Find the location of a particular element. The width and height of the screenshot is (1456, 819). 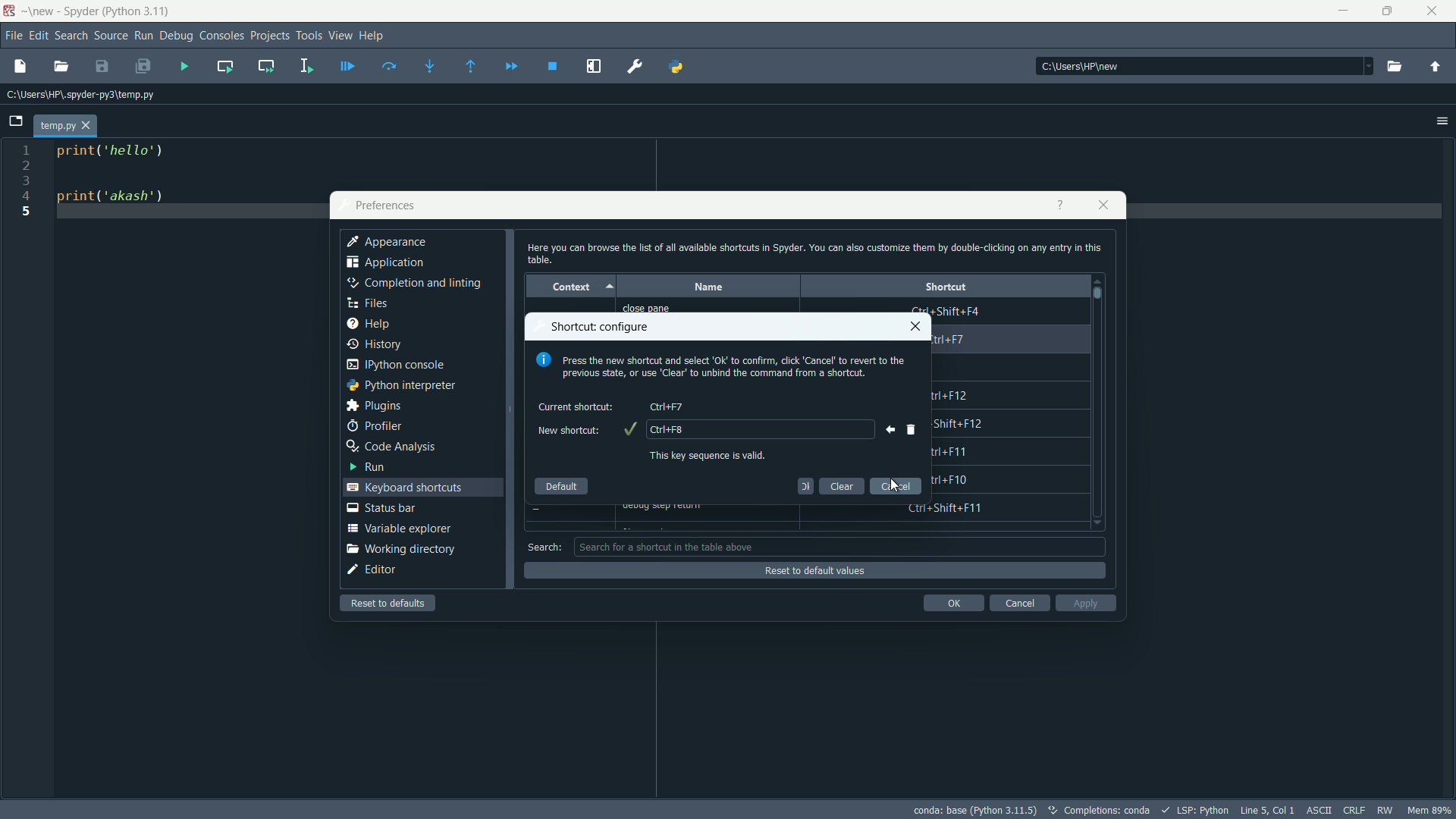

text is located at coordinates (723, 367).